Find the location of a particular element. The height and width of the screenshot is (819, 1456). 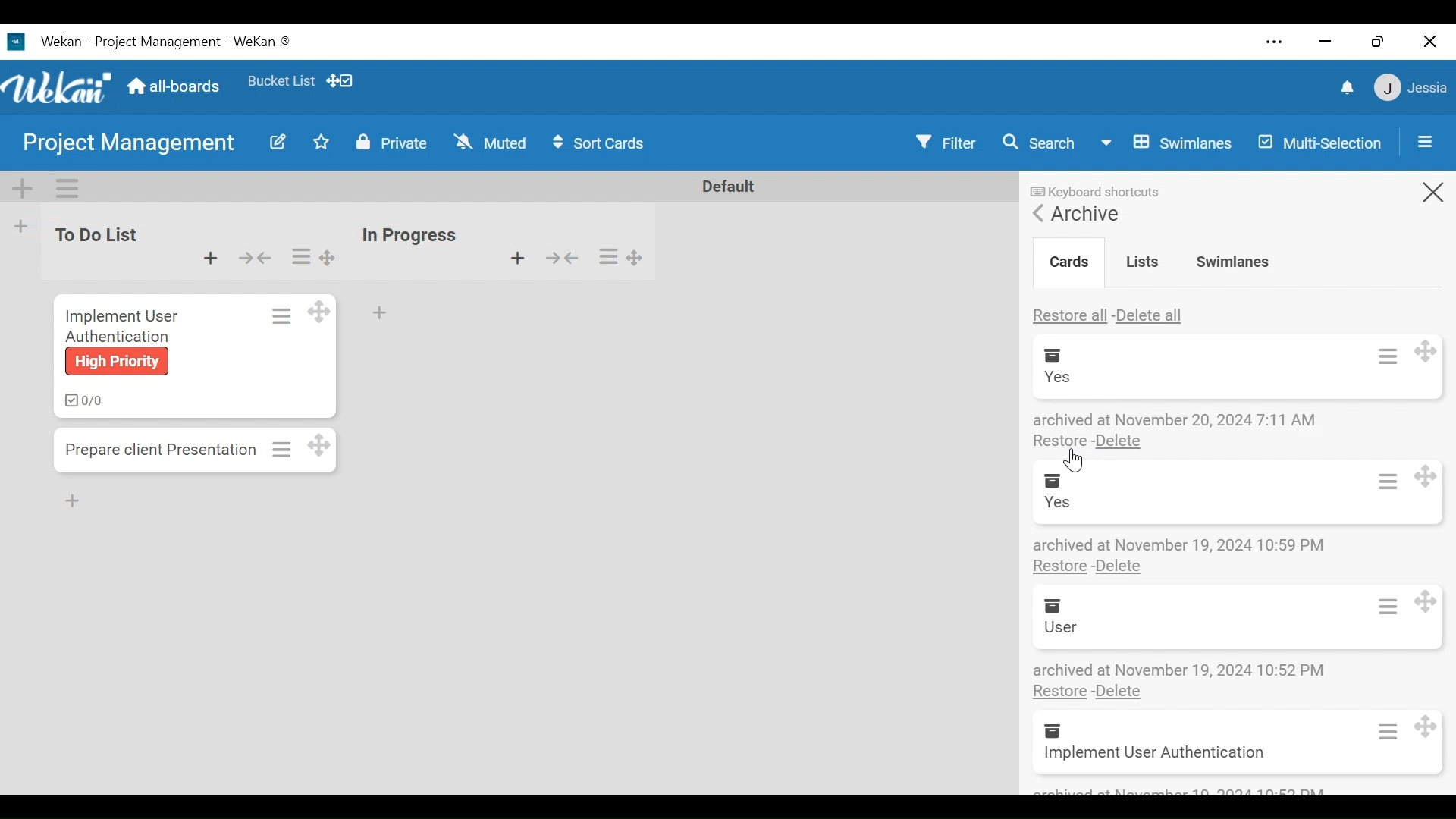

list Actions is located at coordinates (300, 257).